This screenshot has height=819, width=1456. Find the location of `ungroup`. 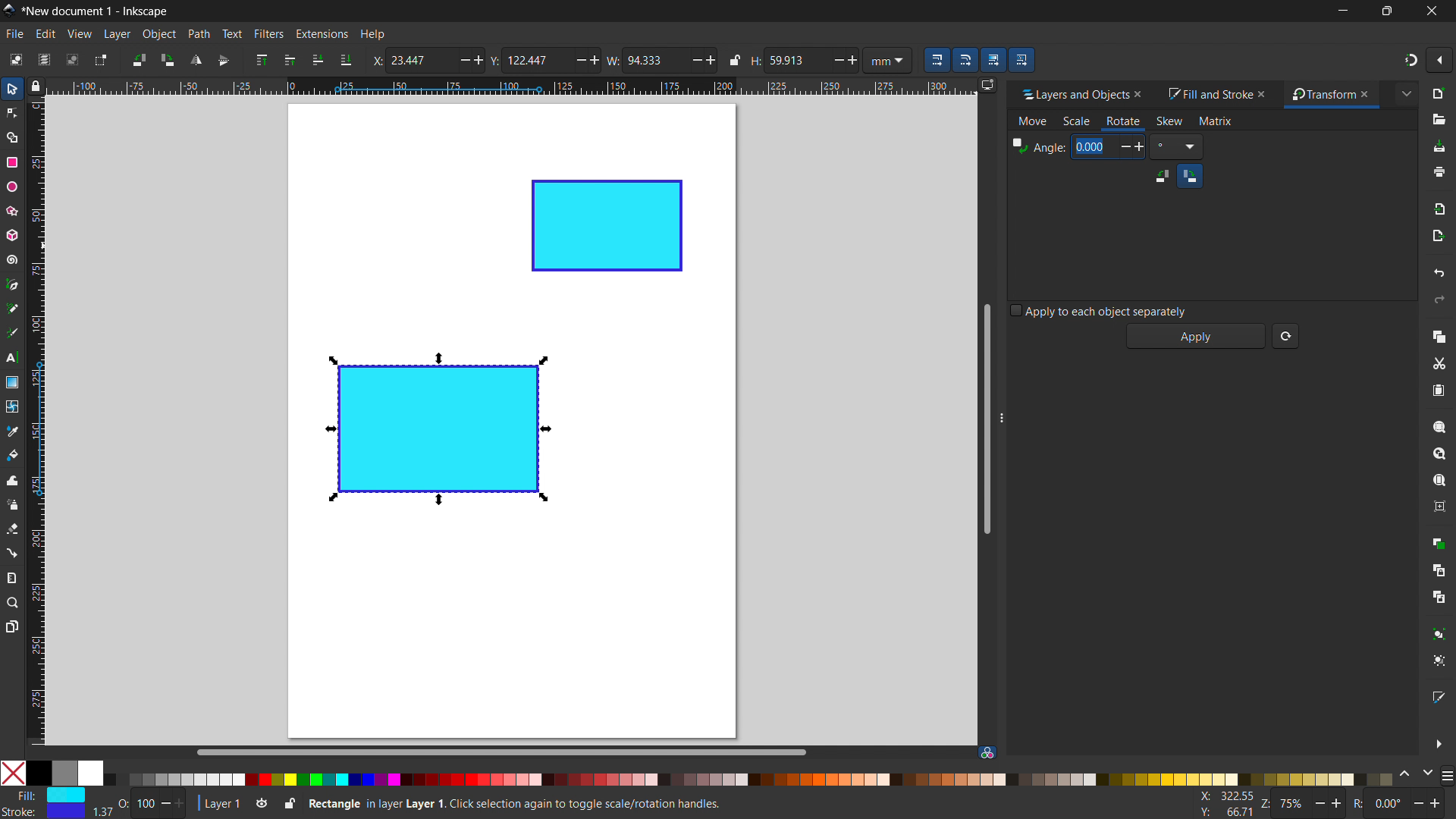

ungroup is located at coordinates (1441, 661).